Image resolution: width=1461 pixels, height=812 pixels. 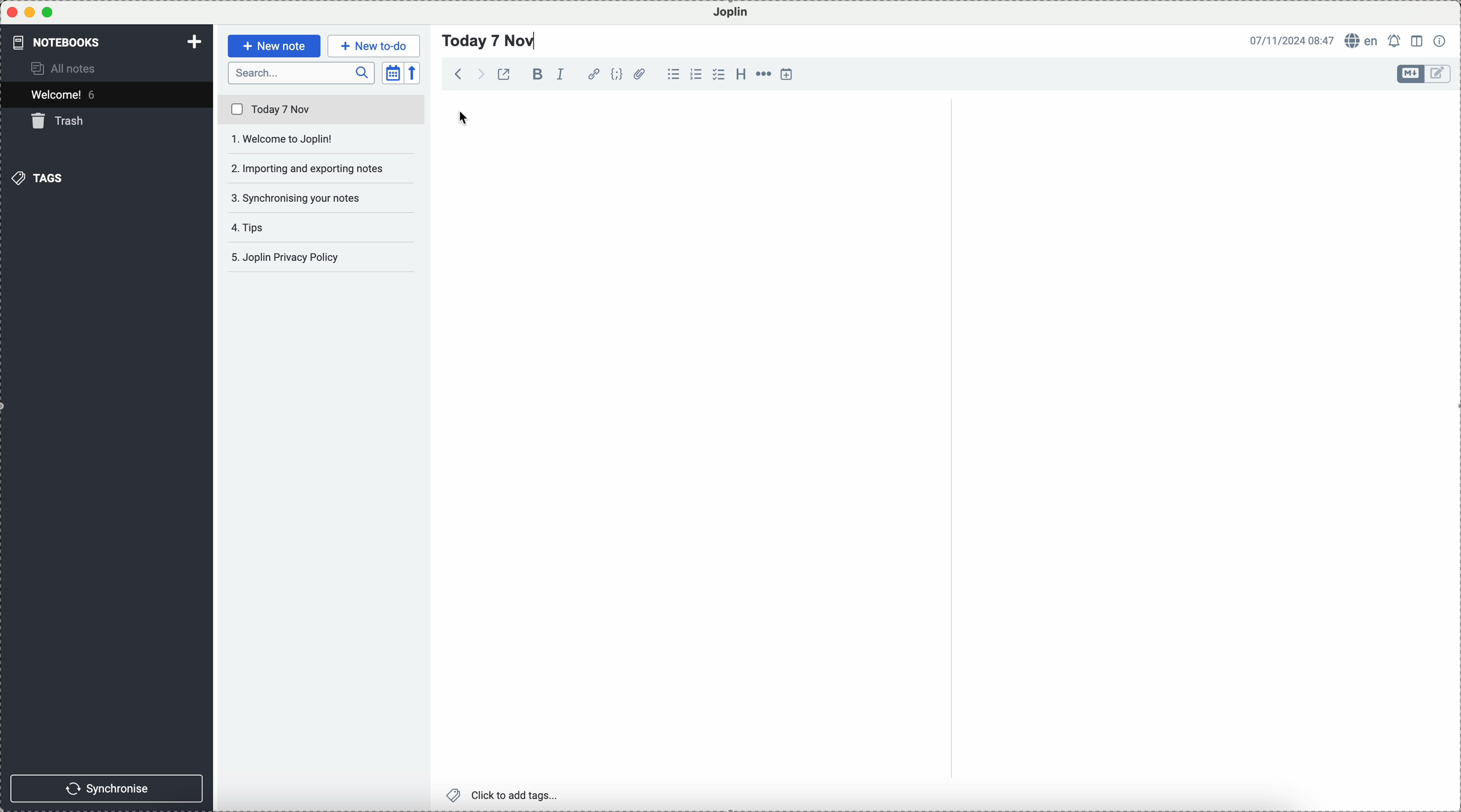 What do you see at coordinates (66, 42) in the screenshot?
I see `notebooks tab` at bounding box center [66, 42].